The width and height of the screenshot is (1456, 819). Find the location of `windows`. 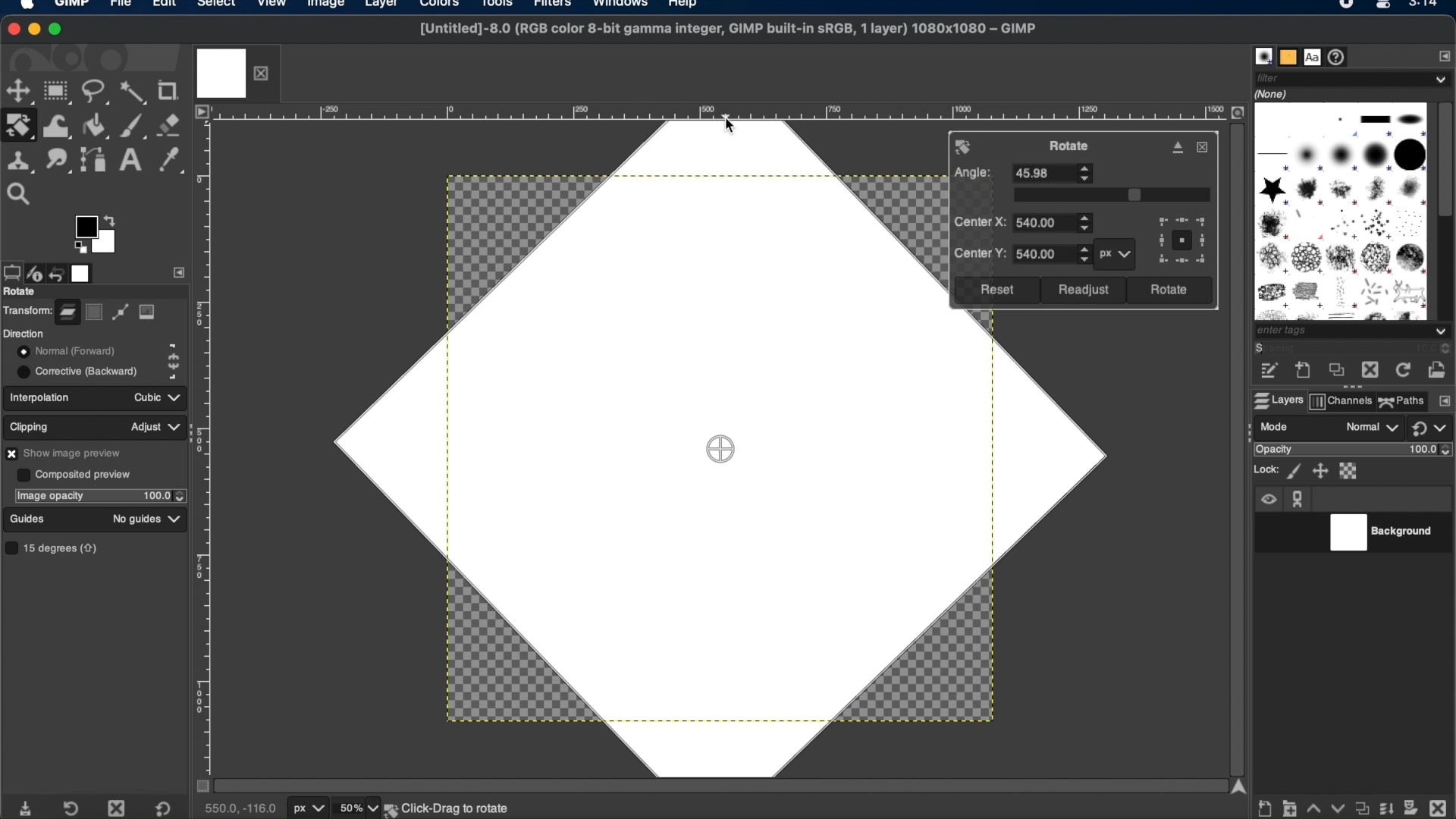

windows is located at coordinates (621, 6).